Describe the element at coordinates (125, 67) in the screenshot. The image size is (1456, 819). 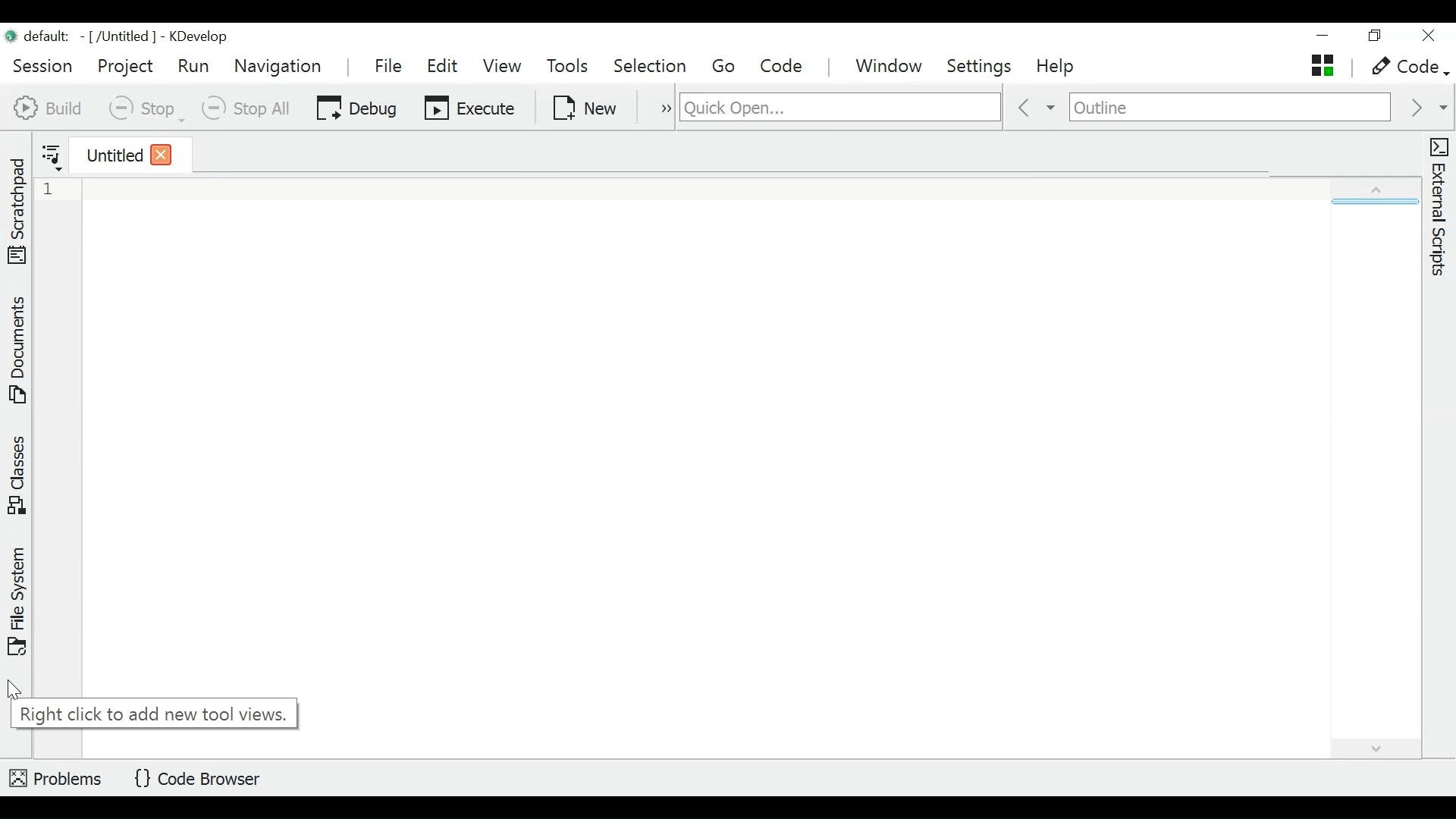
I see `Project` at that location.